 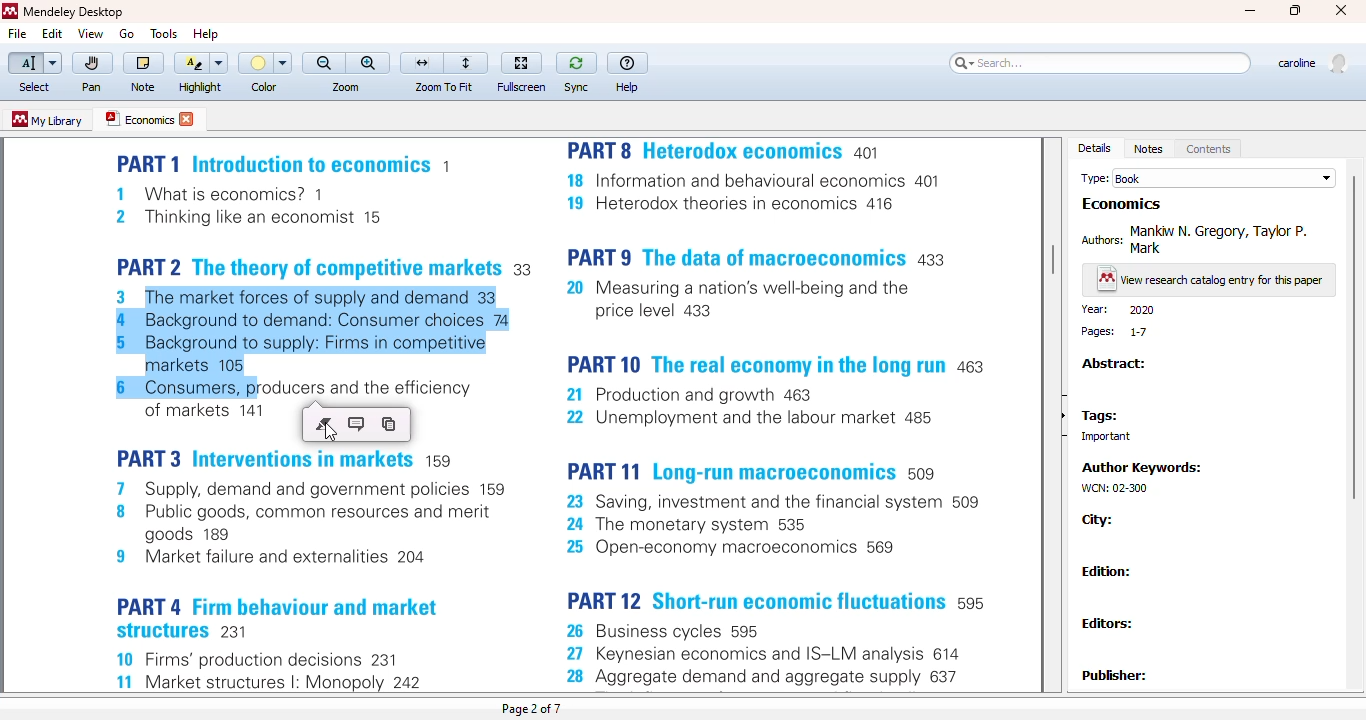 I want to click on contents, so click(x=1209, y=149).